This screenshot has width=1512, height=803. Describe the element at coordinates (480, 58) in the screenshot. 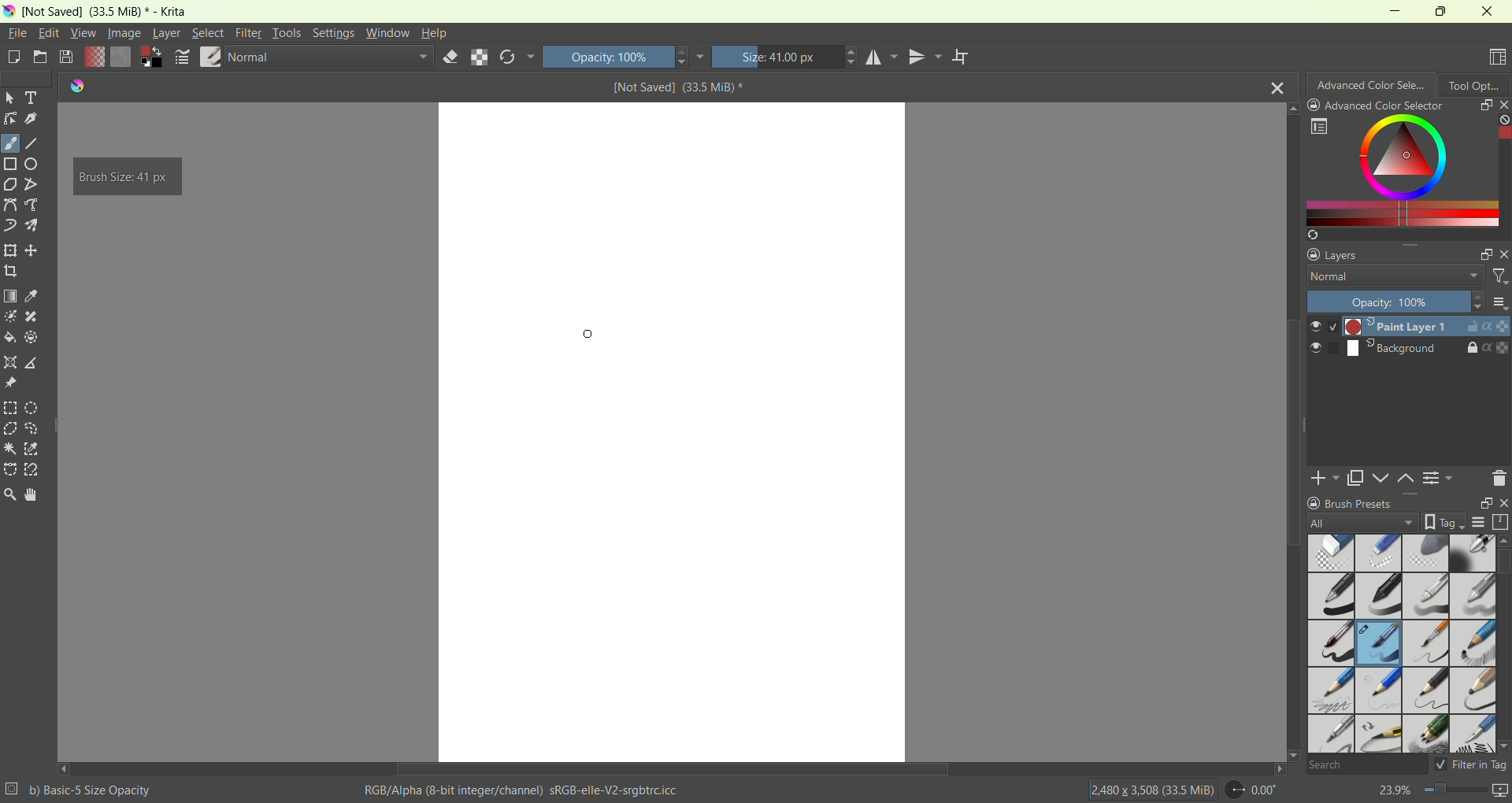

I see `preserve alpha` at that location.